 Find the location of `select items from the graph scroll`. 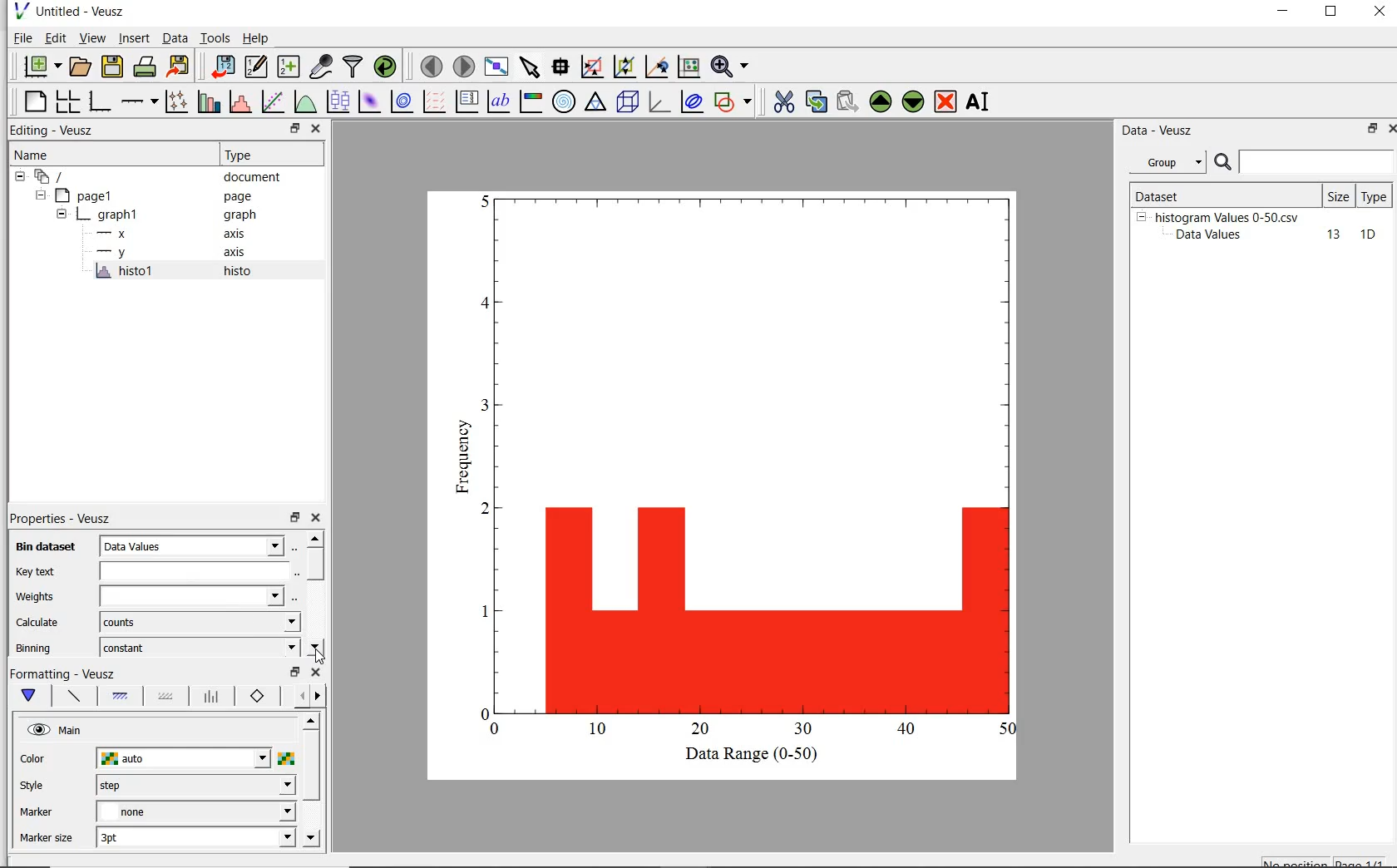

select items from the graph scroll is located at coordinates (531, 65).